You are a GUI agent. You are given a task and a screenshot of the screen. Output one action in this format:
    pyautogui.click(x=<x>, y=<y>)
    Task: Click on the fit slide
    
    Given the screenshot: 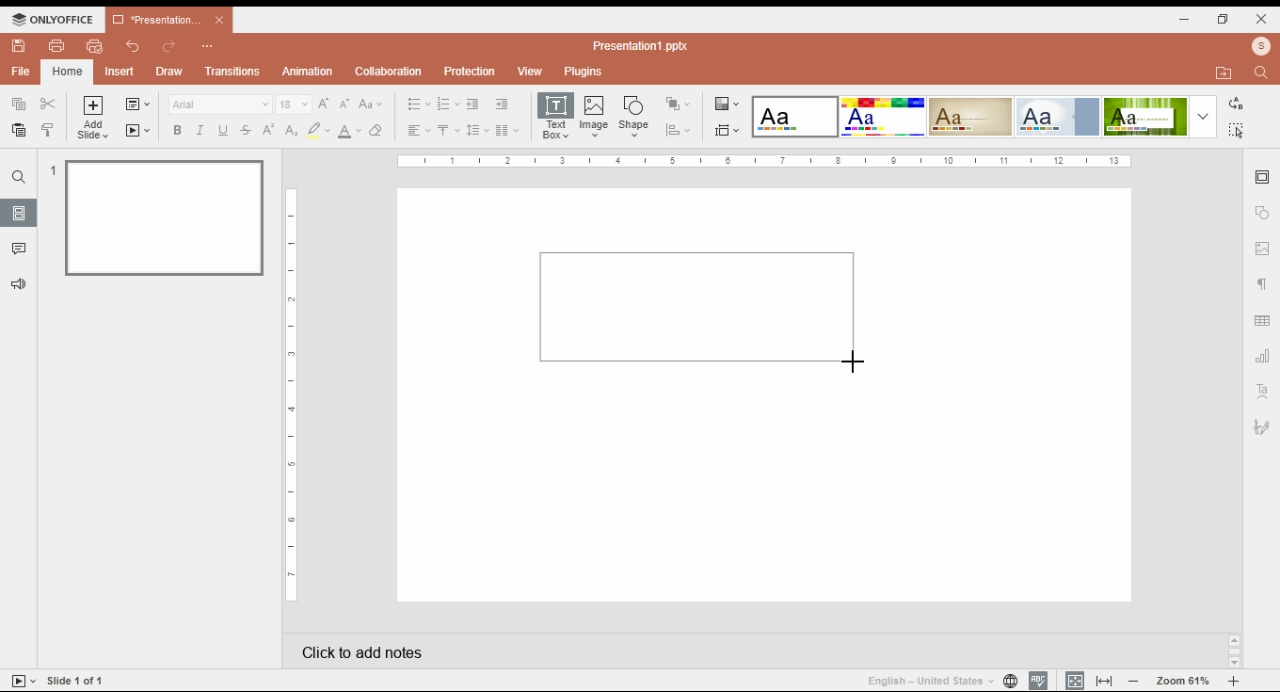 What is the action you would take?
    pyautogui.click(x=1072, y=680)
    